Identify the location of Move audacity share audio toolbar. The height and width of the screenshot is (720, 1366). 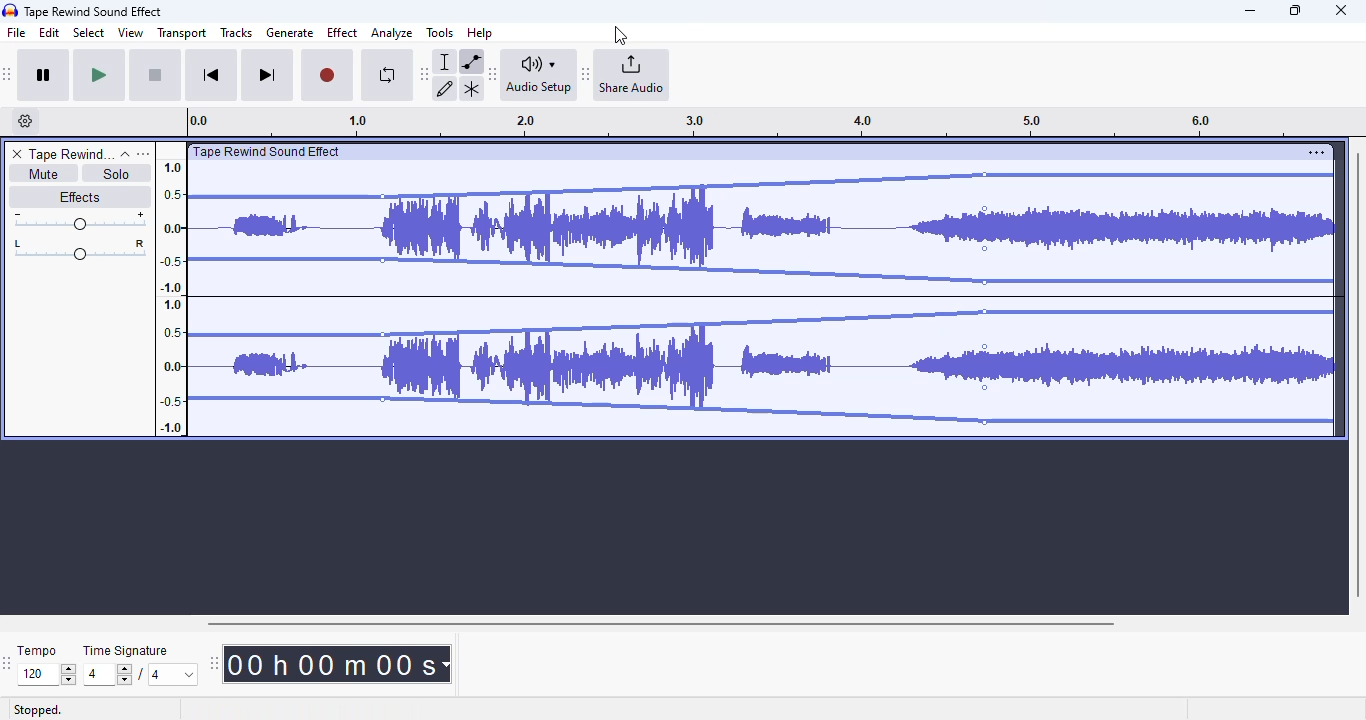
(586, 75).